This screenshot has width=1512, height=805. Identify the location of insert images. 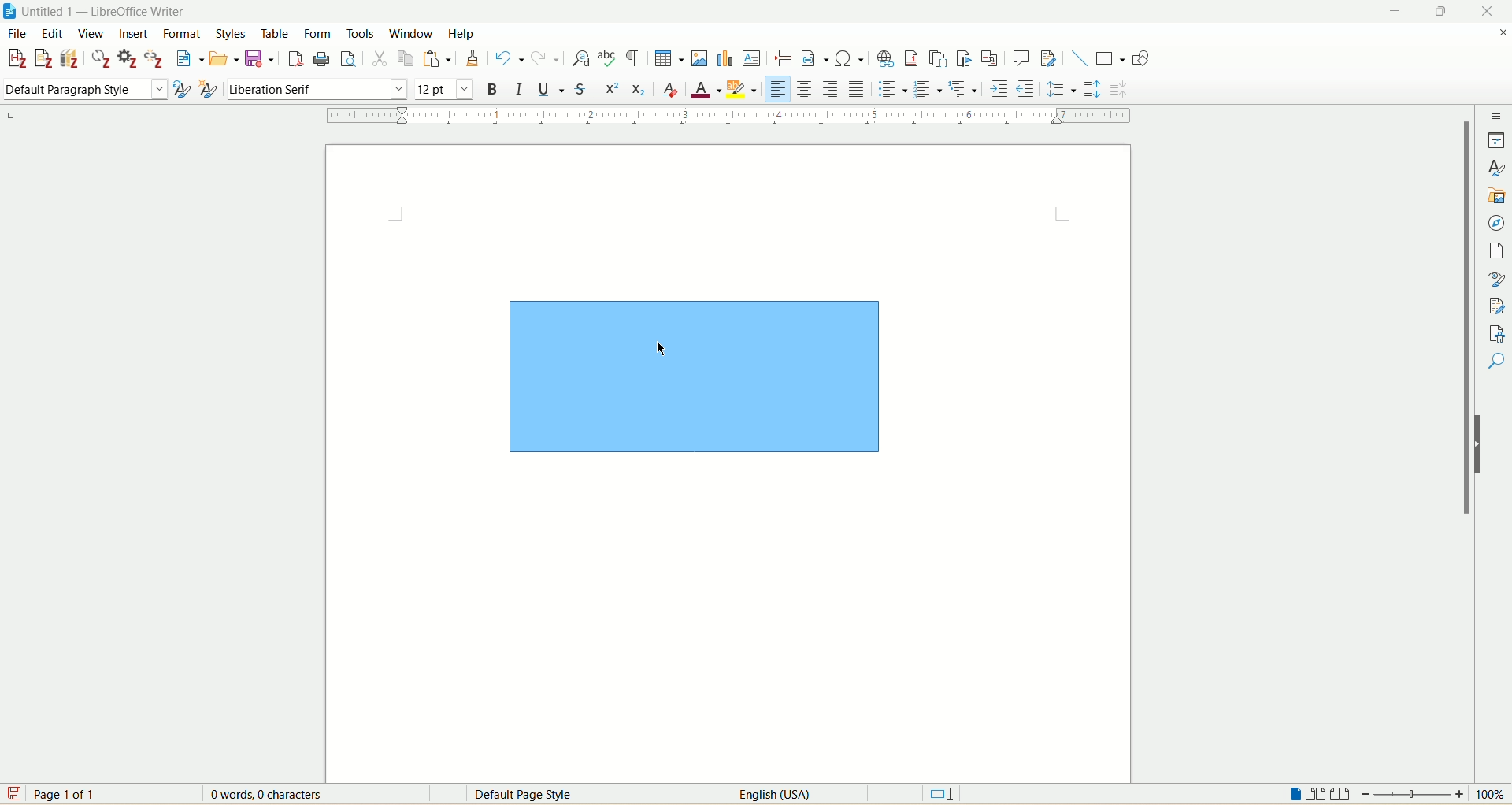
(701, 58).